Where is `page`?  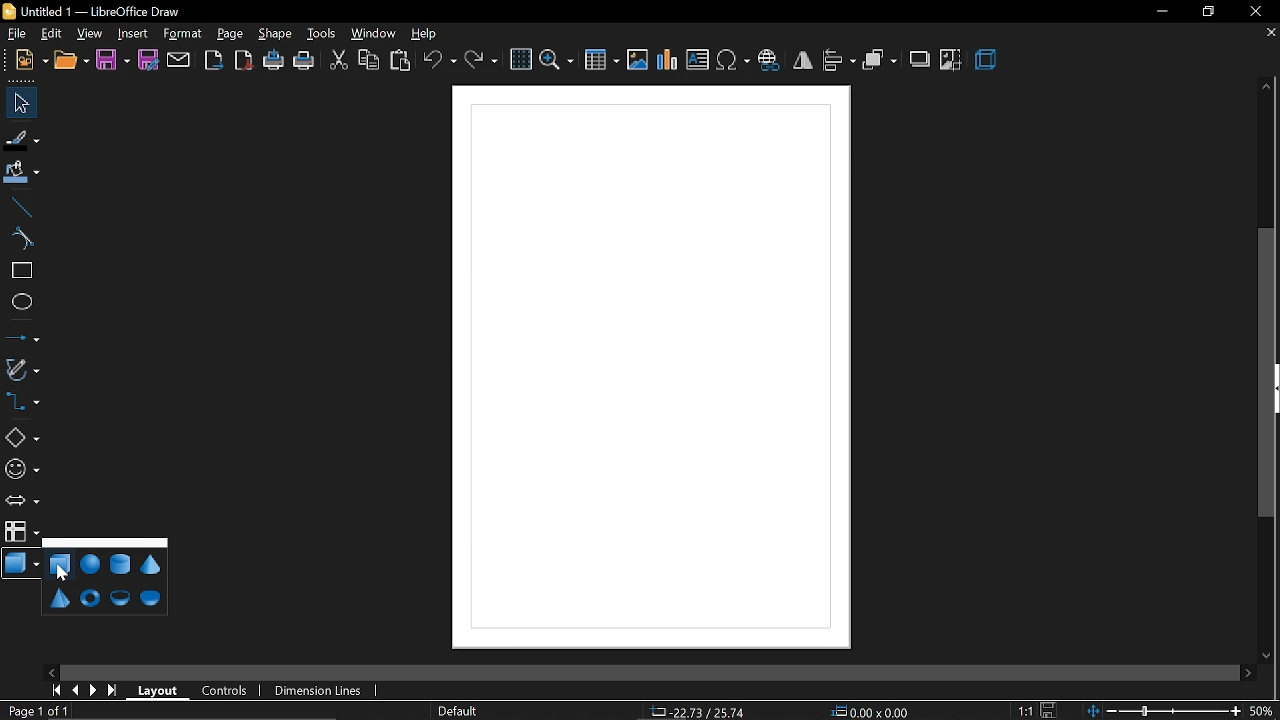
page is located at coordinates (232, 36).